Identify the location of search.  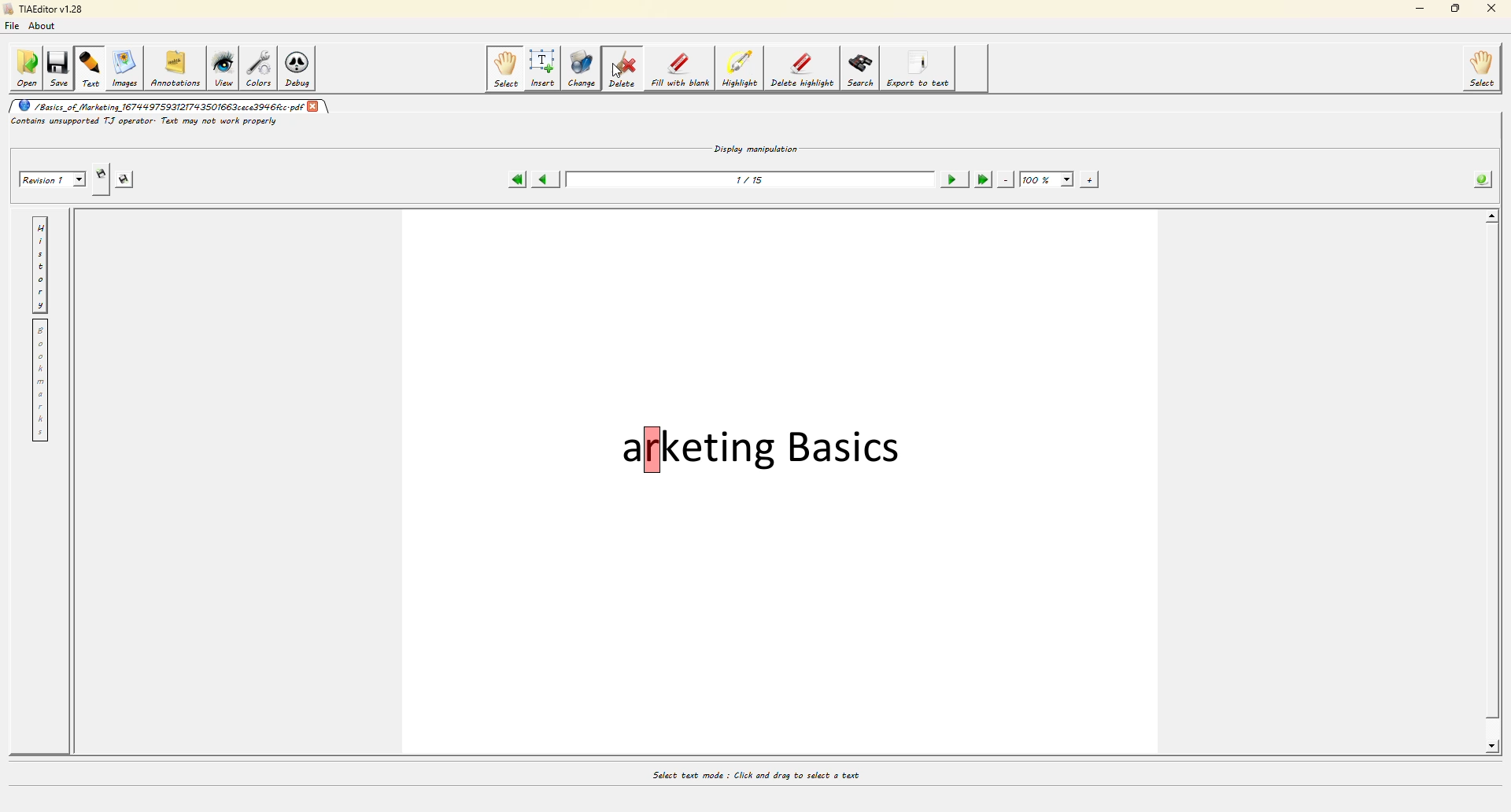
(860, 68).